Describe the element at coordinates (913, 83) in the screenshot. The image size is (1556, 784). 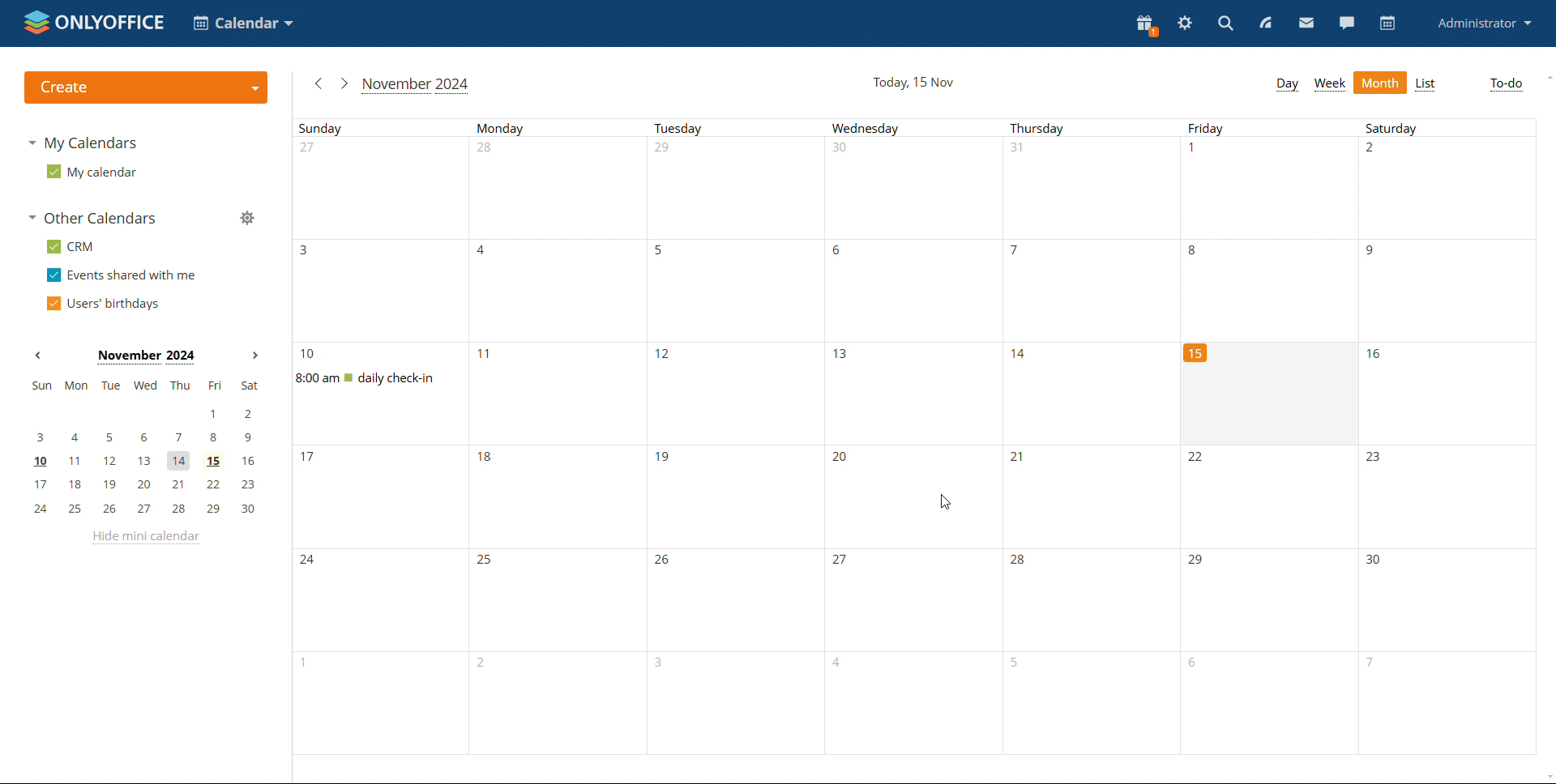
I see `current date` at that location.